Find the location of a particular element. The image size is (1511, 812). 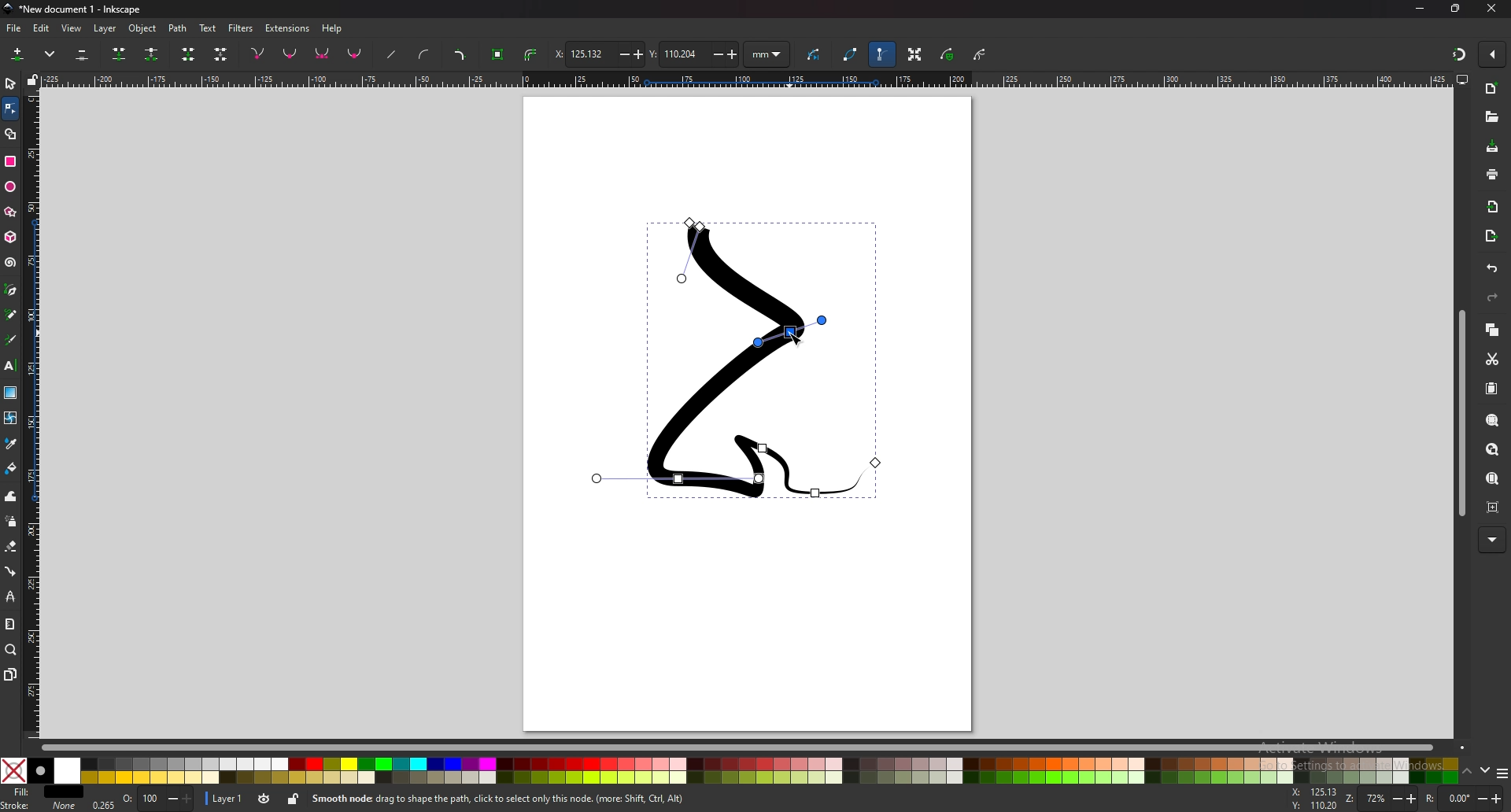

file is located at coordinates (14, 28).